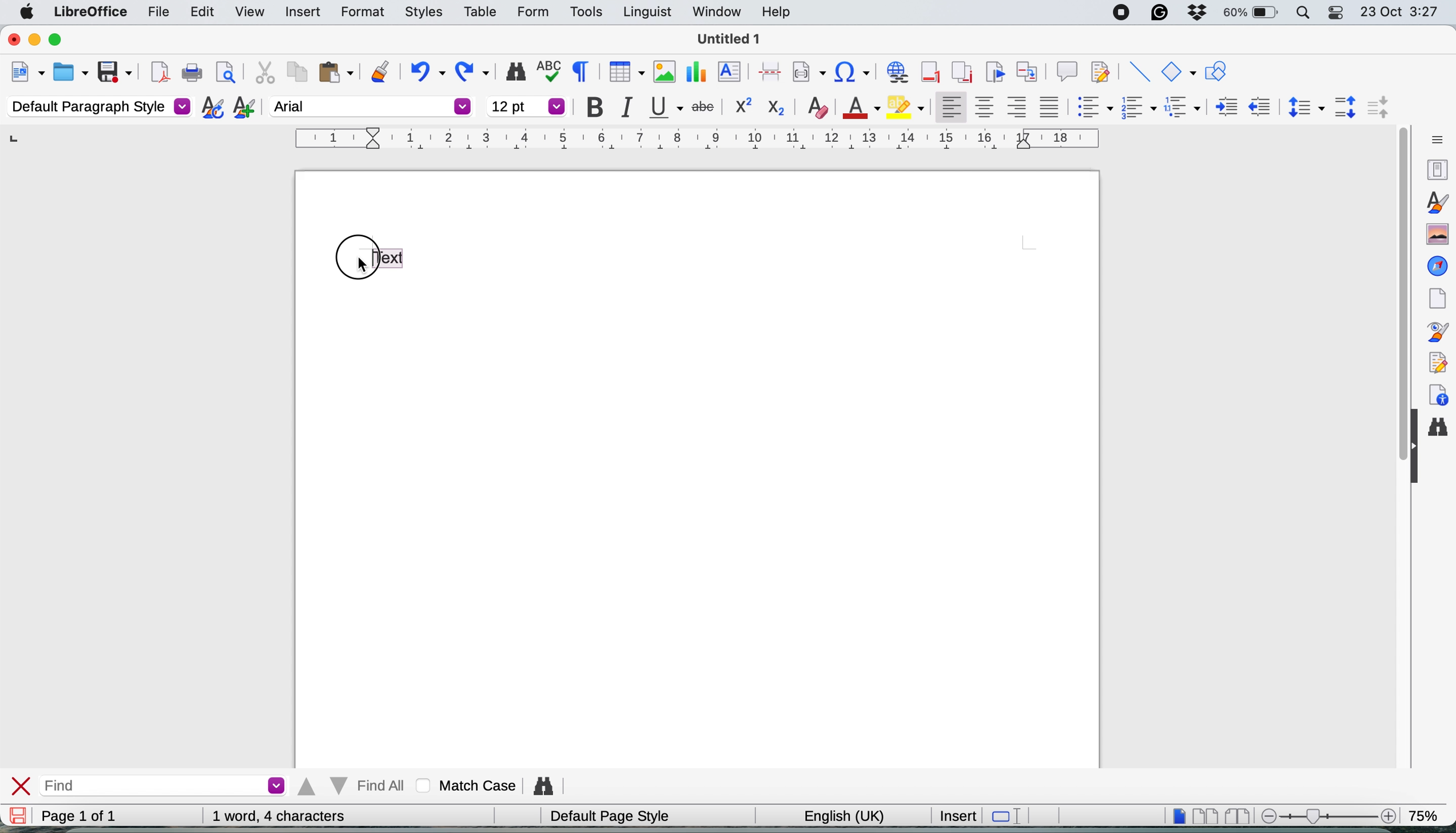  What do you see at coordinates (242, 109) in the screenshot?
I see `new style from selection` at bounding box center [242, 109].